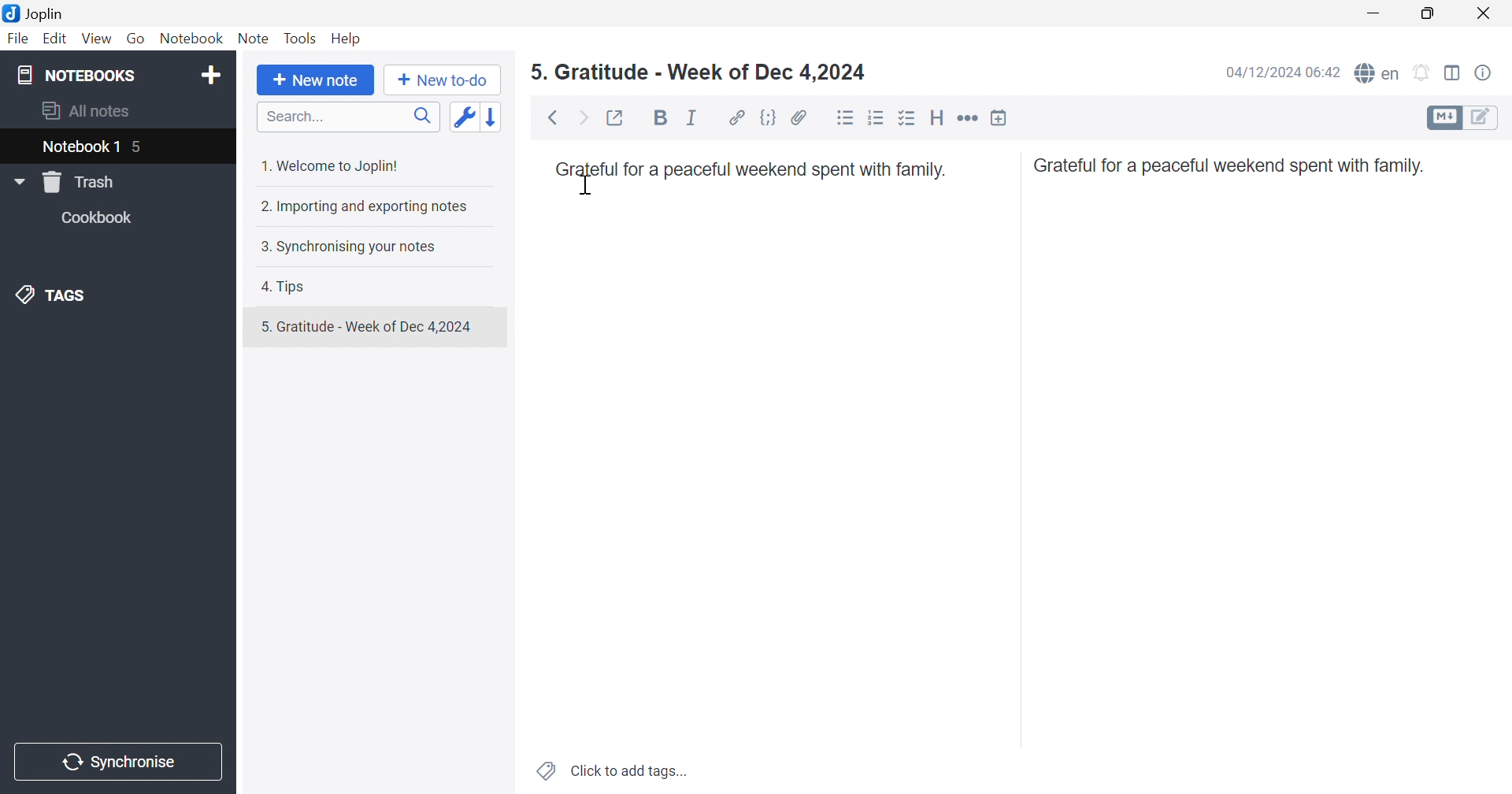 The height and width of the screenshot is (794, 1512). Describe the element at coordinates (253, 37) in the screenshot. I see `Note` at that location.